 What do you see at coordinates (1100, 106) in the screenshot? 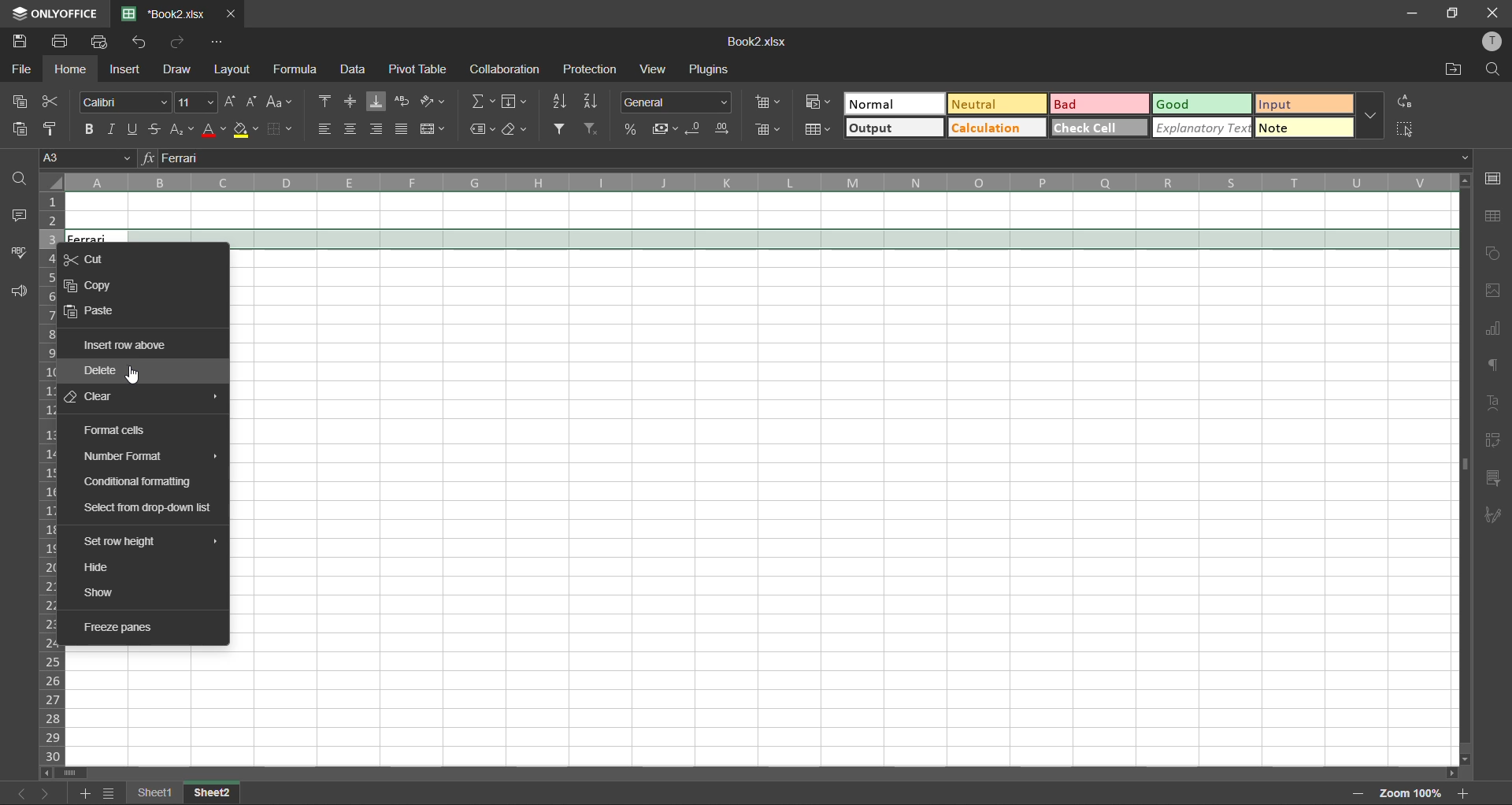
I see `bad` at bounding box center [1100, 106].